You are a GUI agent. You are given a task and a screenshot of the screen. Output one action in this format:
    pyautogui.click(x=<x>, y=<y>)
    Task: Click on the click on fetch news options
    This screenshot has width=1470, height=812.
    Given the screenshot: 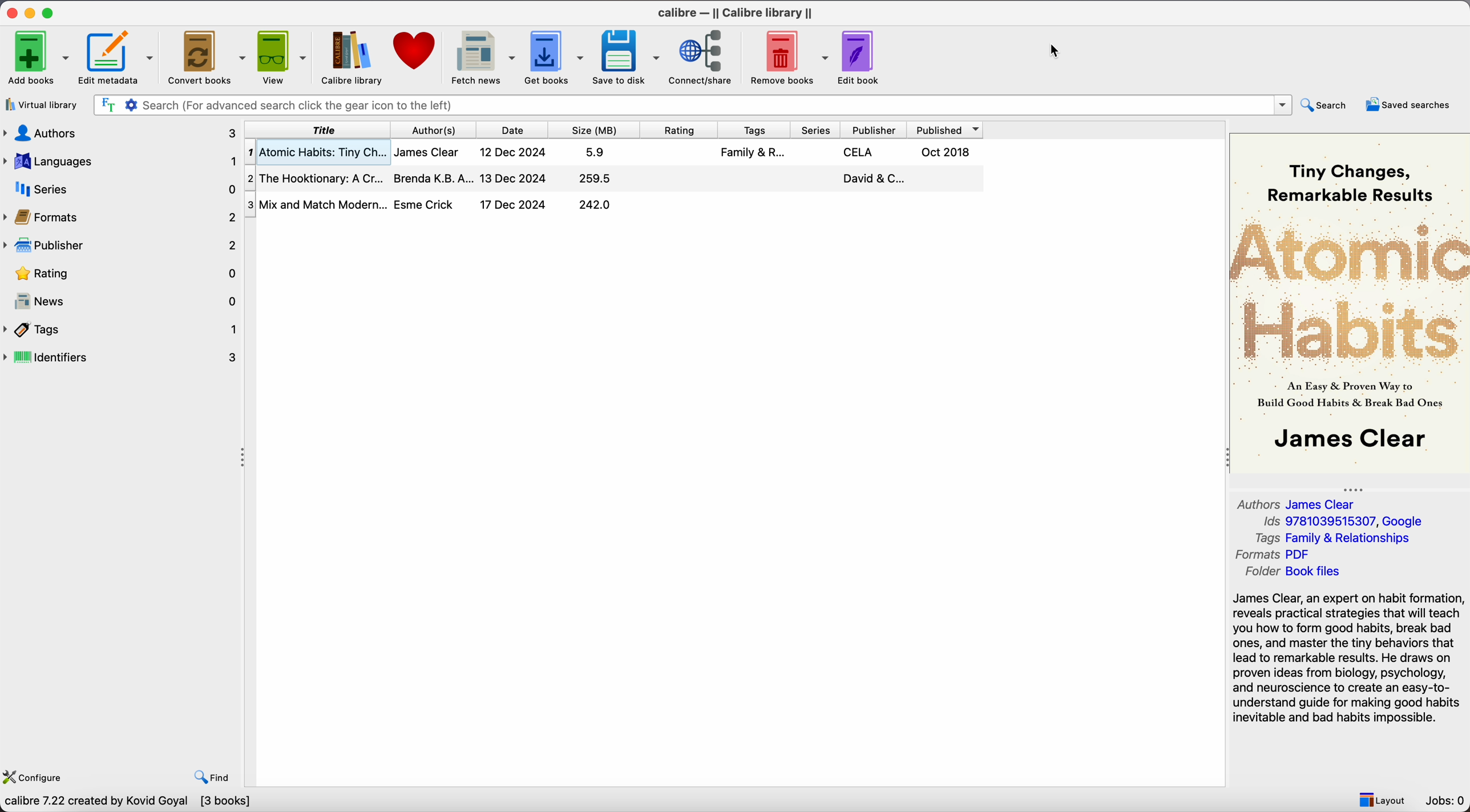 What is the action you would take?
    pyautogui.click(x=481, y=59)
    